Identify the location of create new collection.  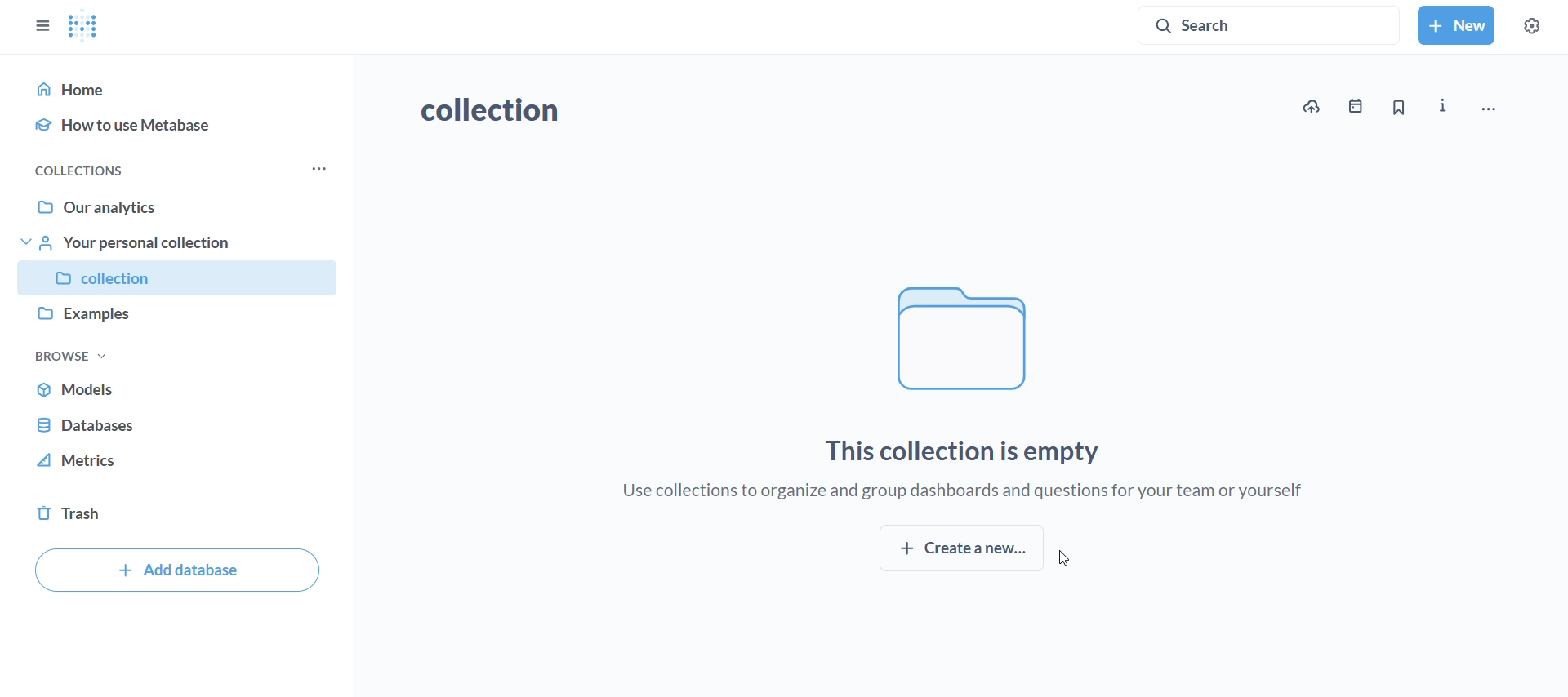
(960, 548).